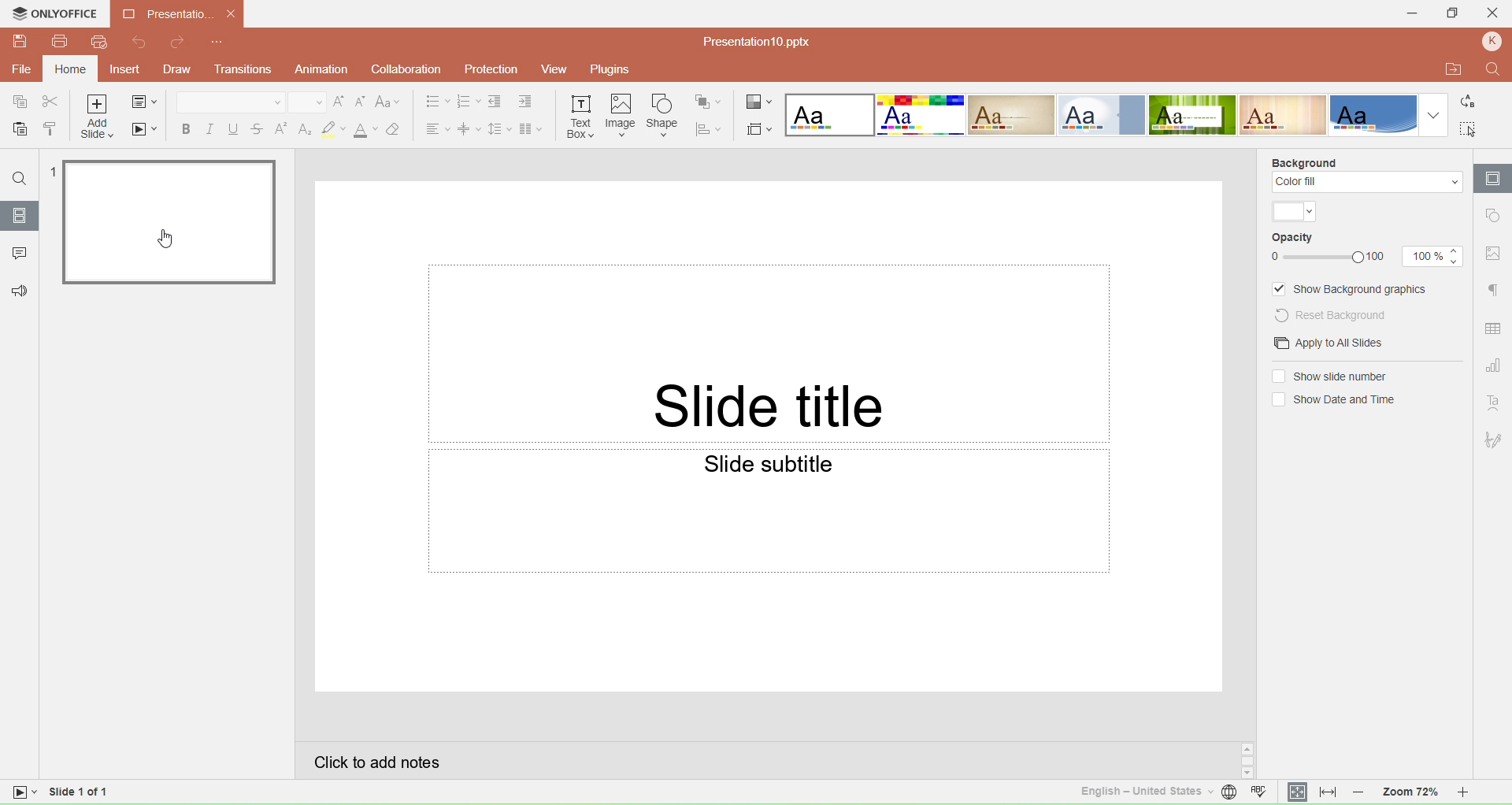  Describe the element at coordinates (763, 759) in the screenshot. I see `Click to add slides` at that location.